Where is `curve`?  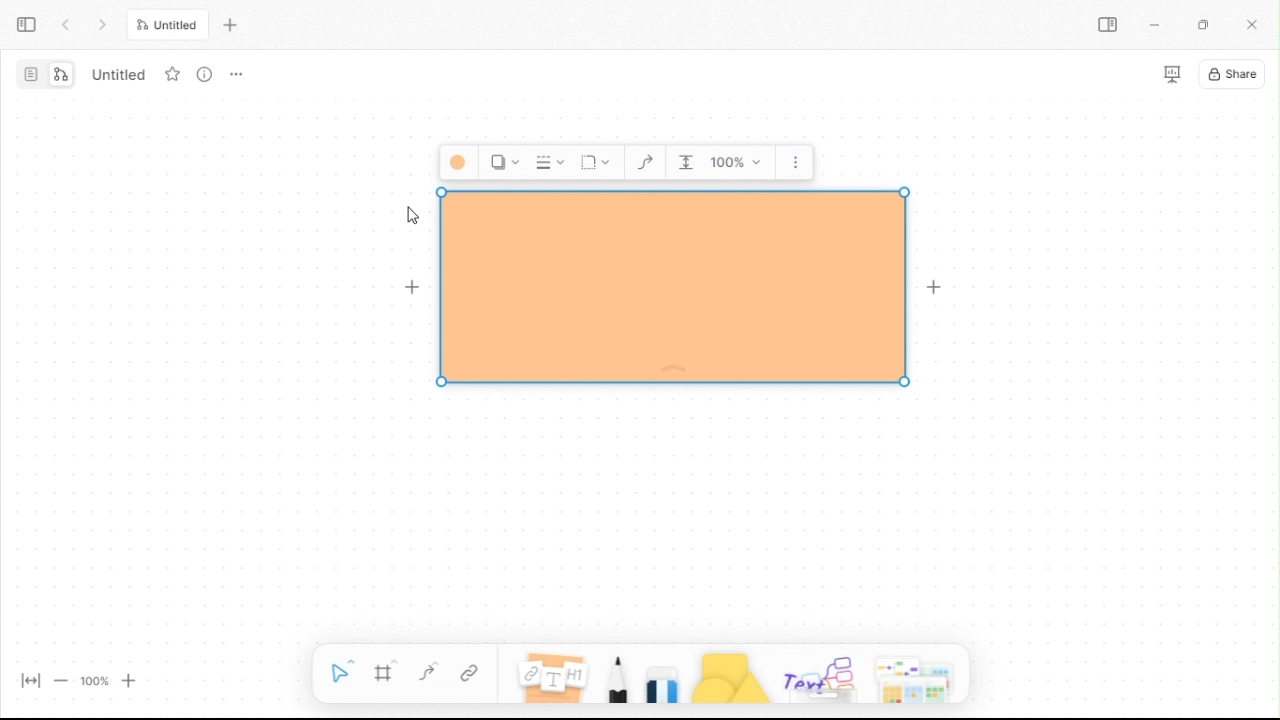
curve is located at coordinates (427, 675).